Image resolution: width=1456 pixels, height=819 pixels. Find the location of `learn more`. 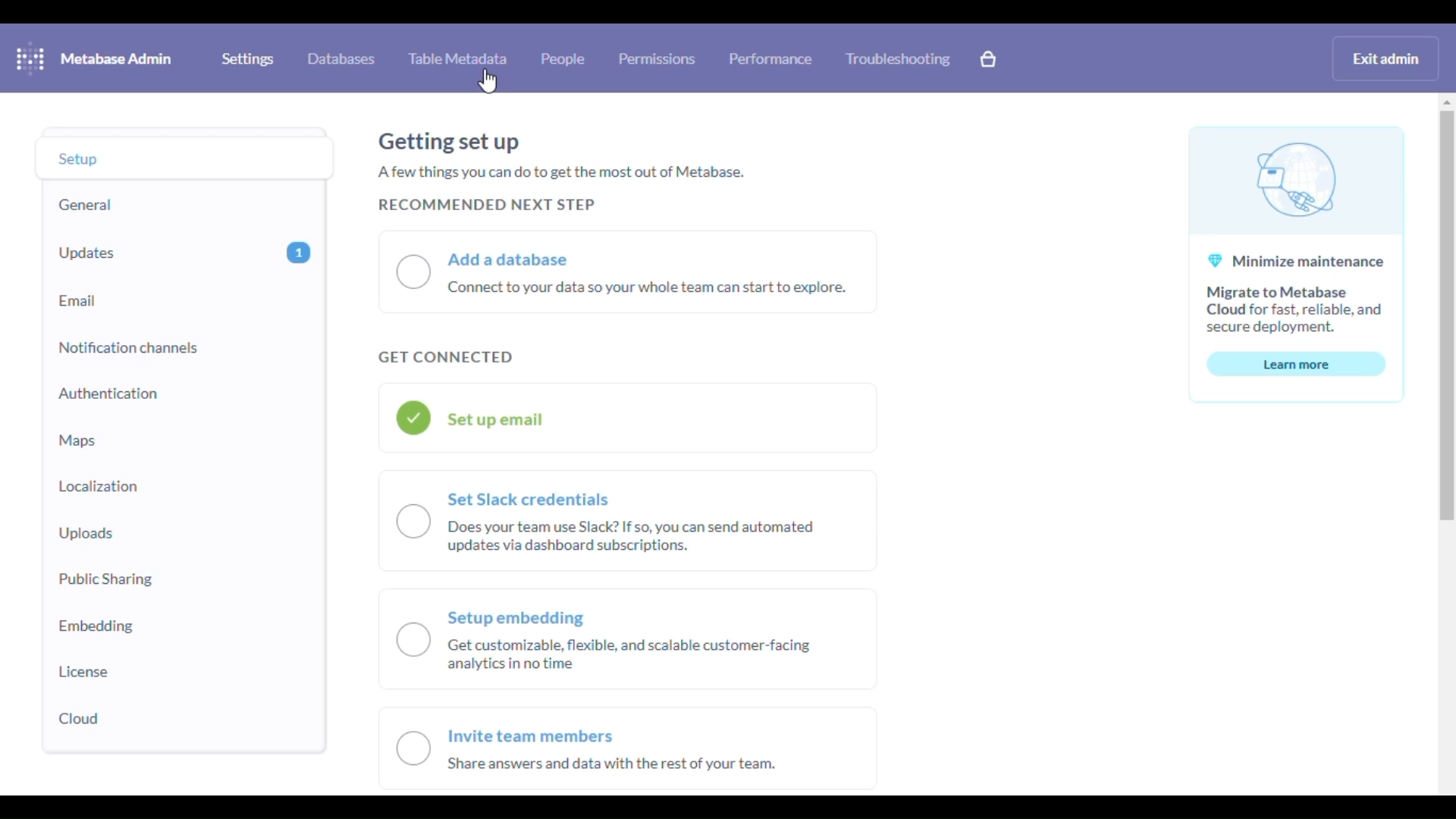

learn more is located at coordinates (1297, 365).